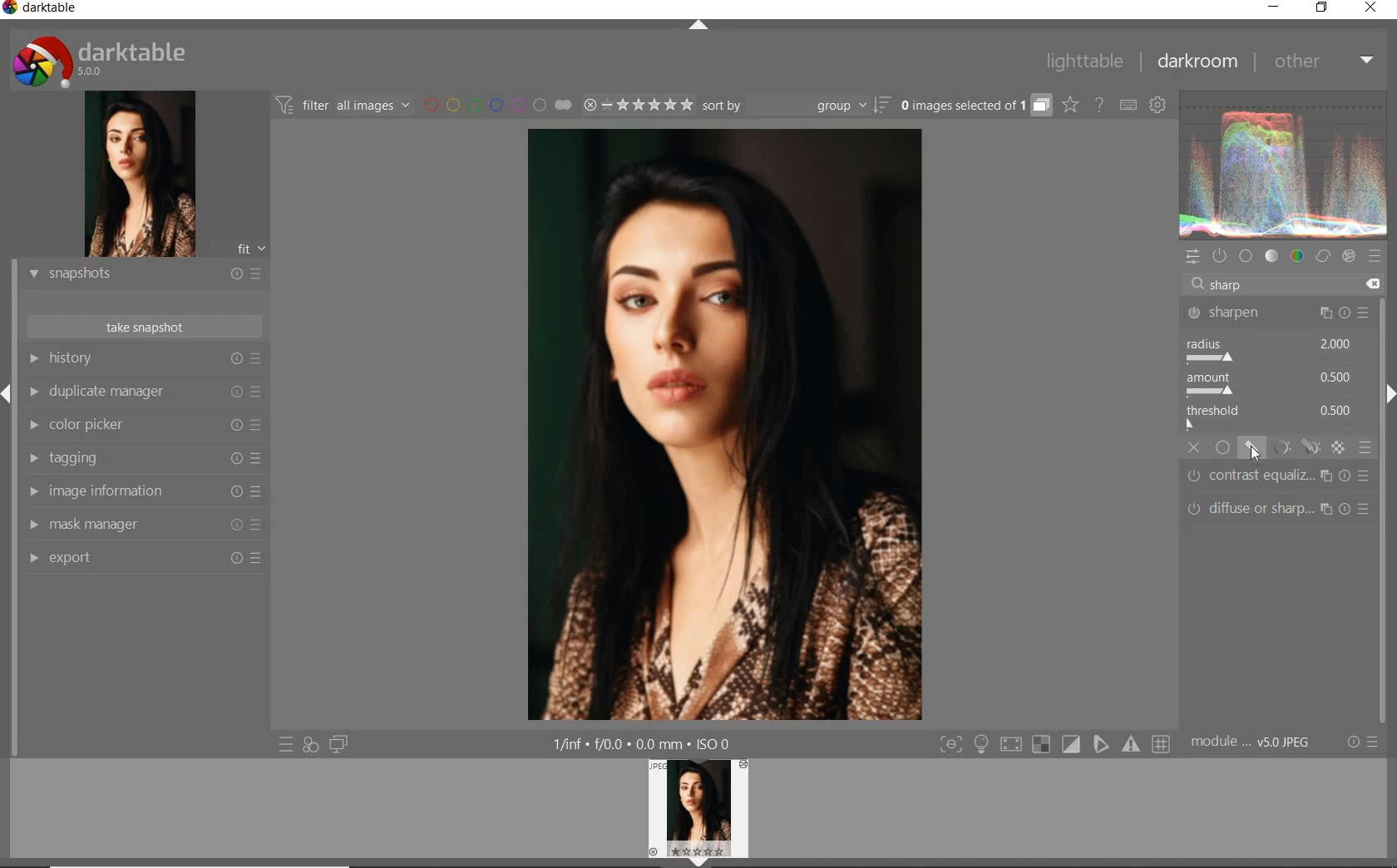  Describe the element at coordinates (143, 560) in the screenshot. I see `export` at that location.